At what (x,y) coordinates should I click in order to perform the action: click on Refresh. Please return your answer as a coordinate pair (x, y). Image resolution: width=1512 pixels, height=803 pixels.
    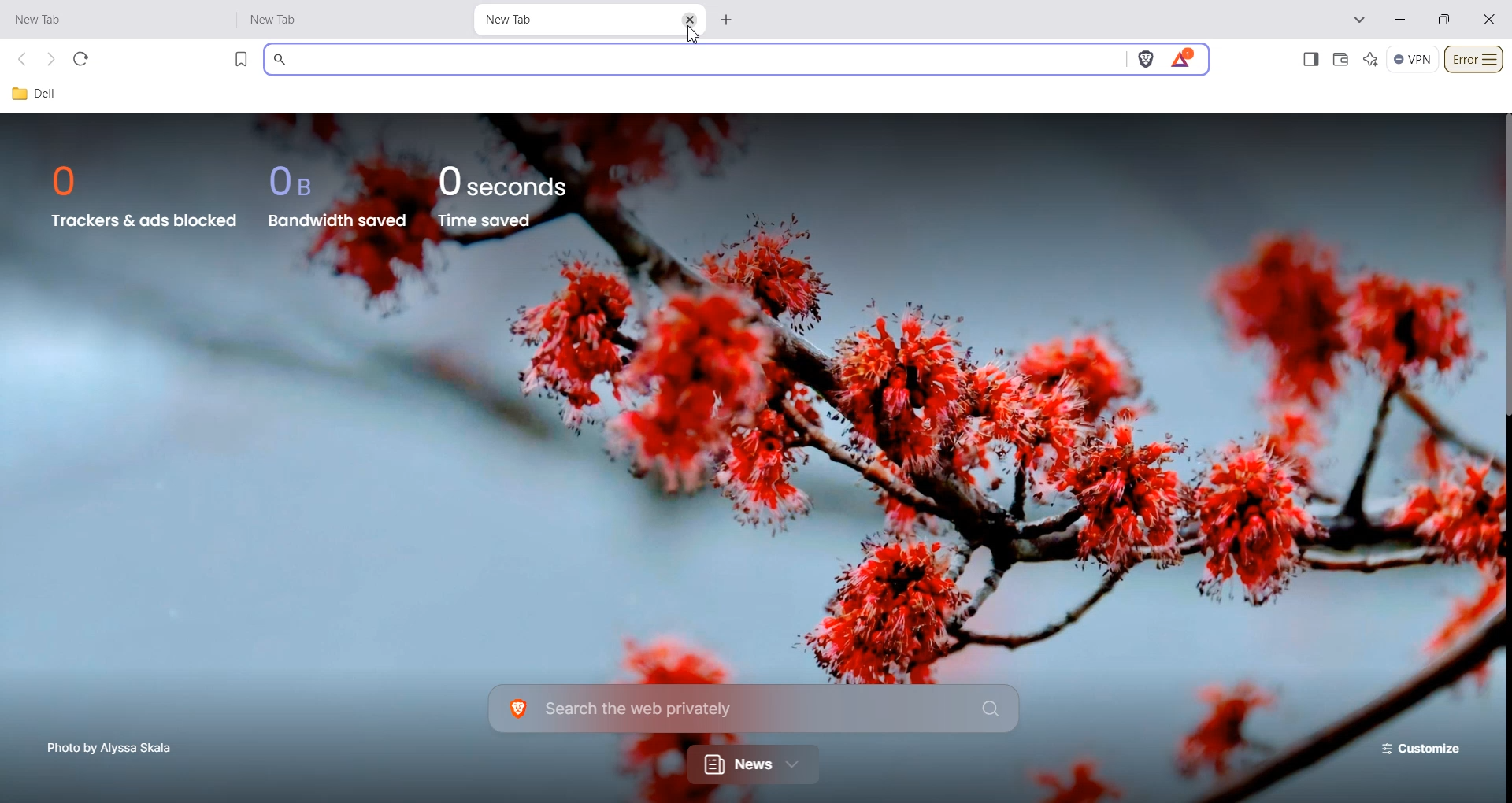
    Looking at the image, I should click on (80, 59).